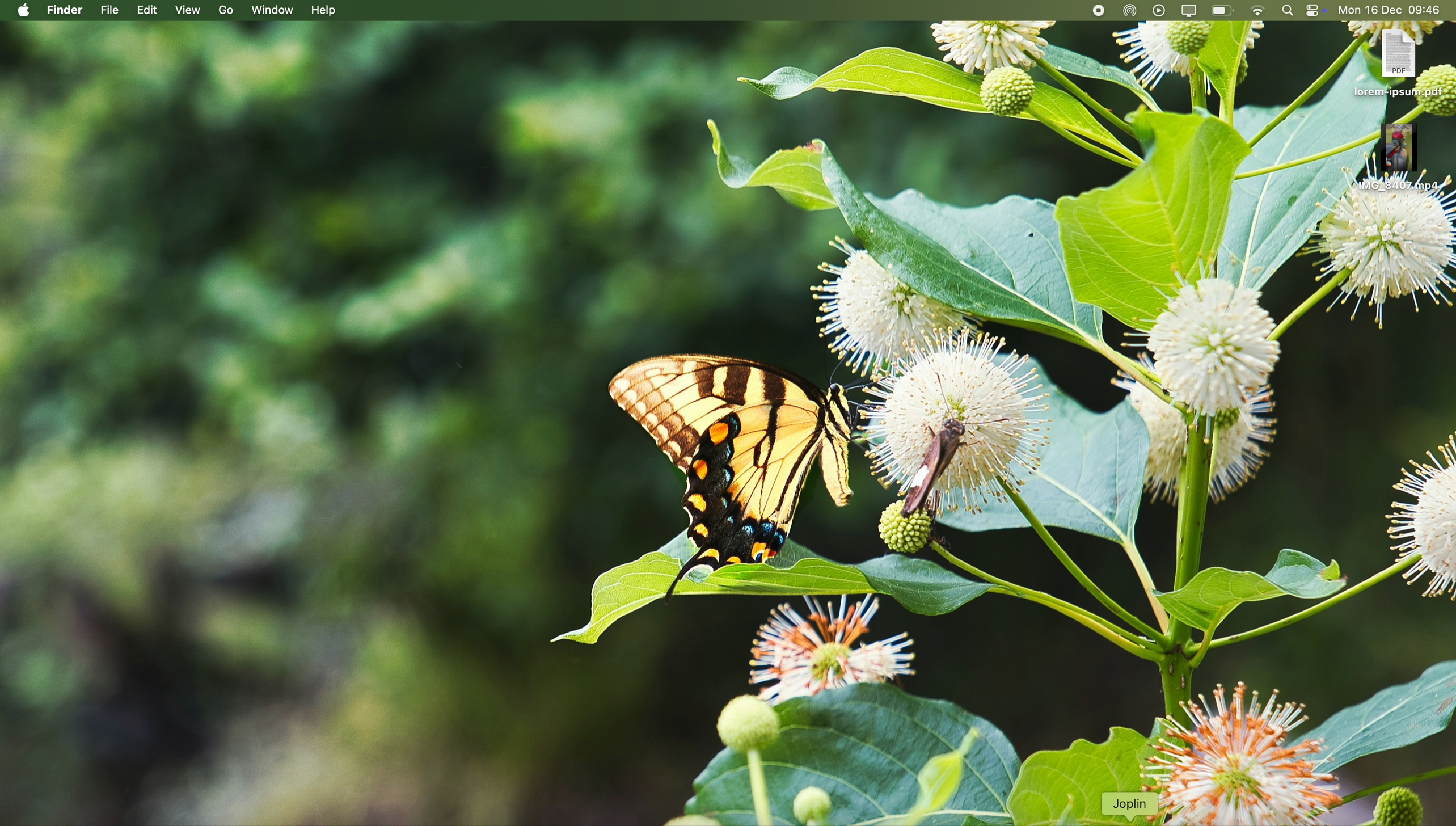 The image size is (1456, 826). Describe the element at coordinates (224, 11) in the screenshot. I see `go` at that location.